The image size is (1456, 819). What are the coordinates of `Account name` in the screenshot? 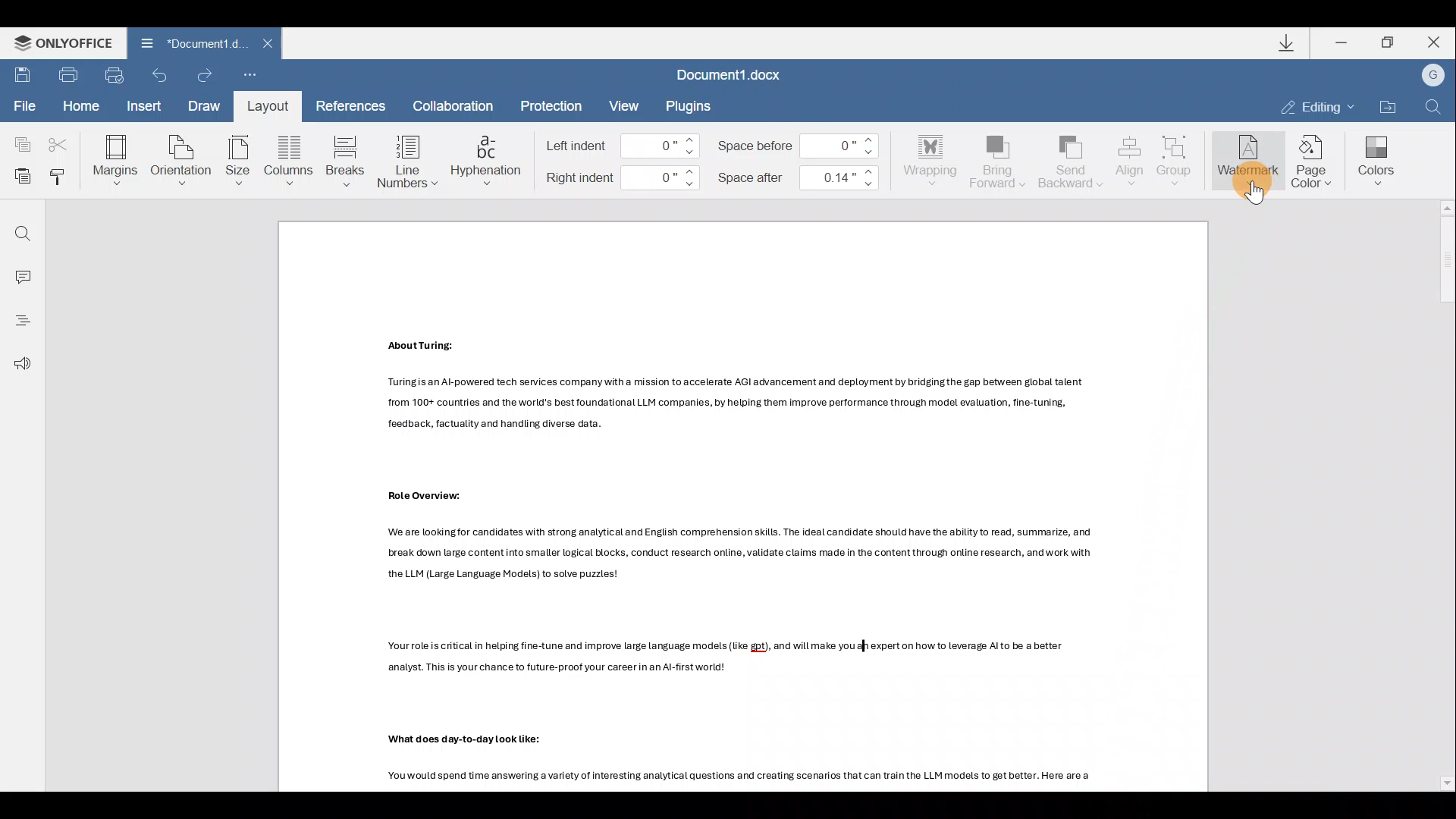 It's located at (1432, 73).